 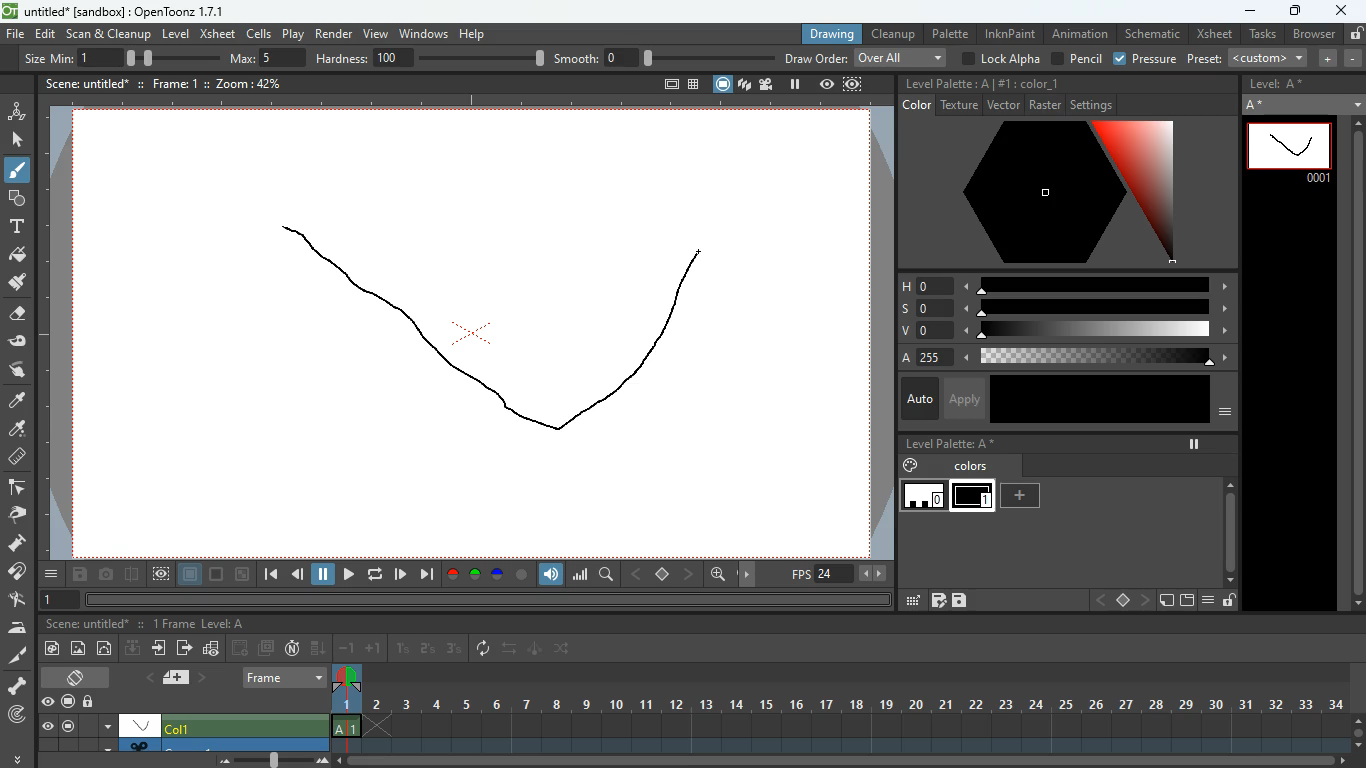 I want to click on screens, so click(x=744, y=86).